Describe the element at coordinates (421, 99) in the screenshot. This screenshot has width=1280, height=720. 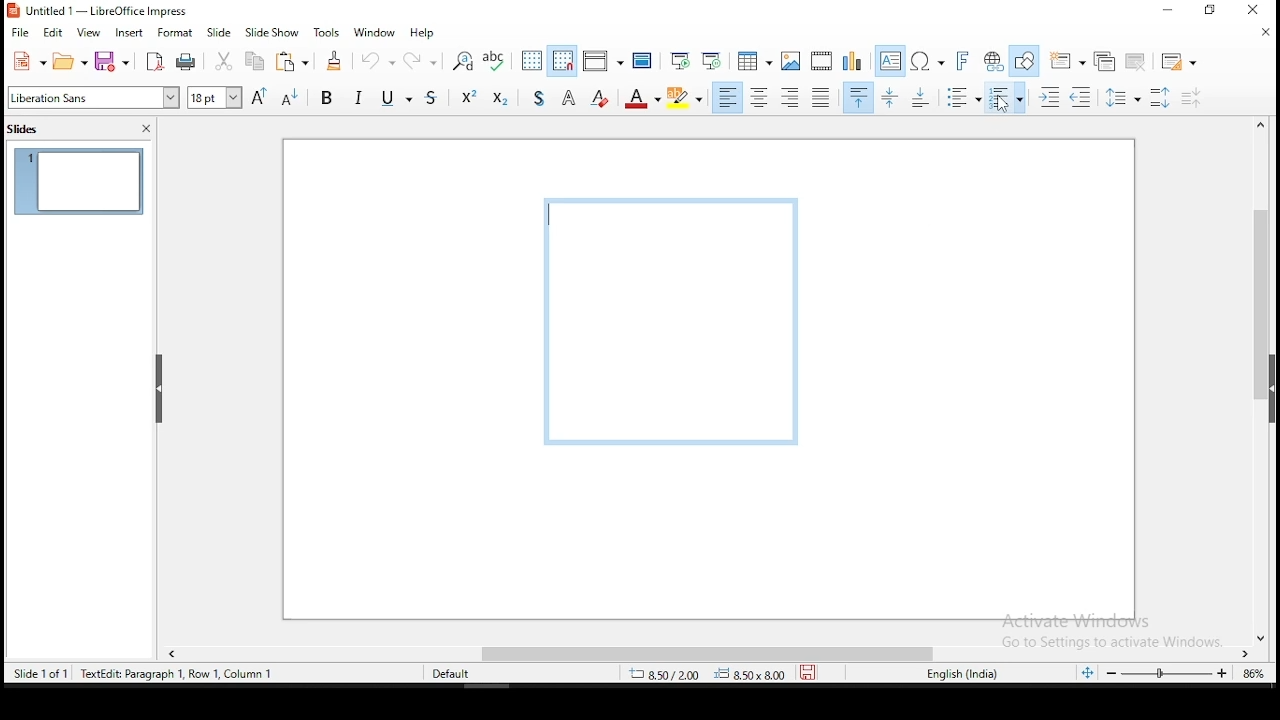
I see `strikethrough` at that location.